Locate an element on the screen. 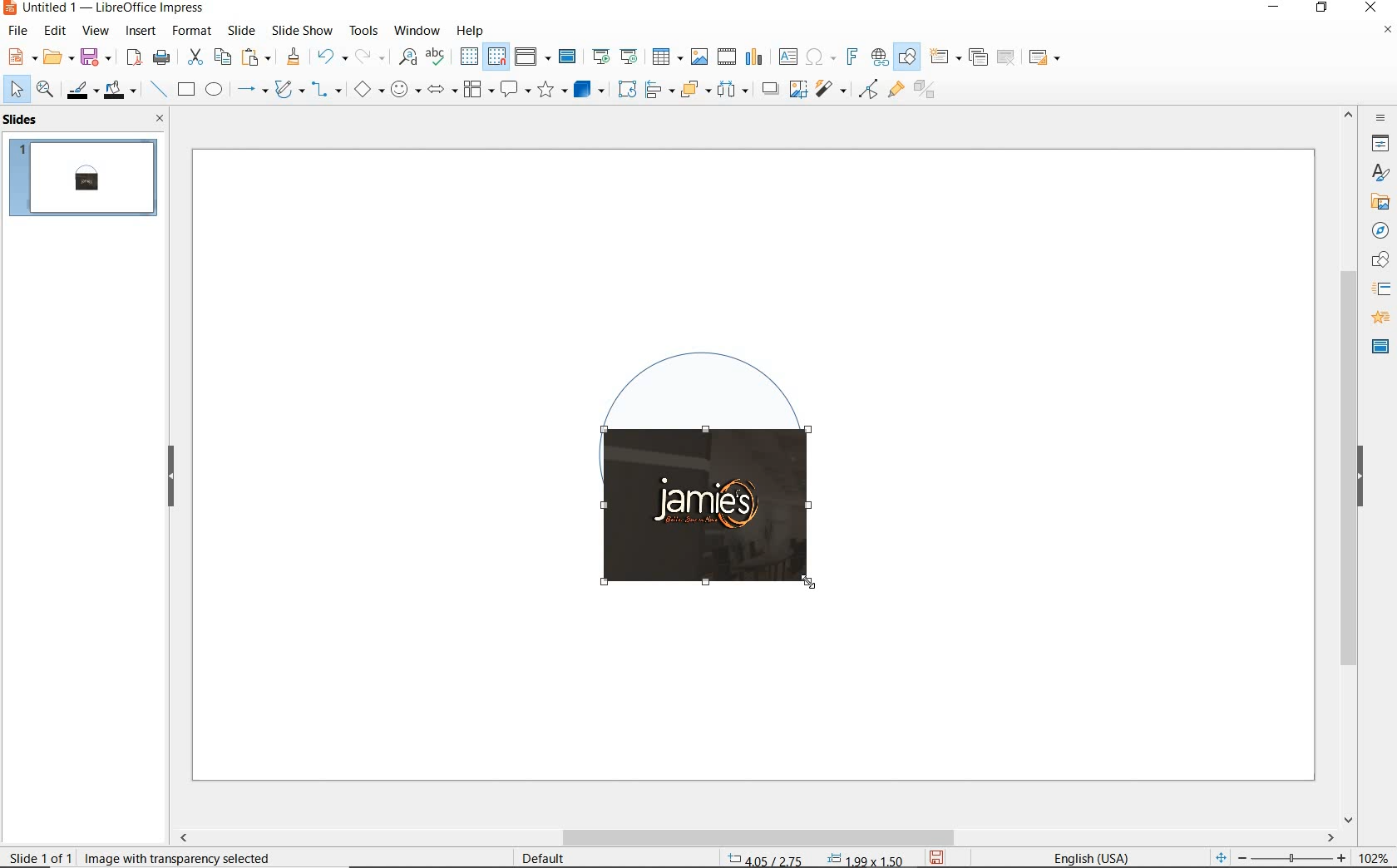 The height and width of the screenshot is (868, 1397). zoom & pan is located at coordinates (47, 91).